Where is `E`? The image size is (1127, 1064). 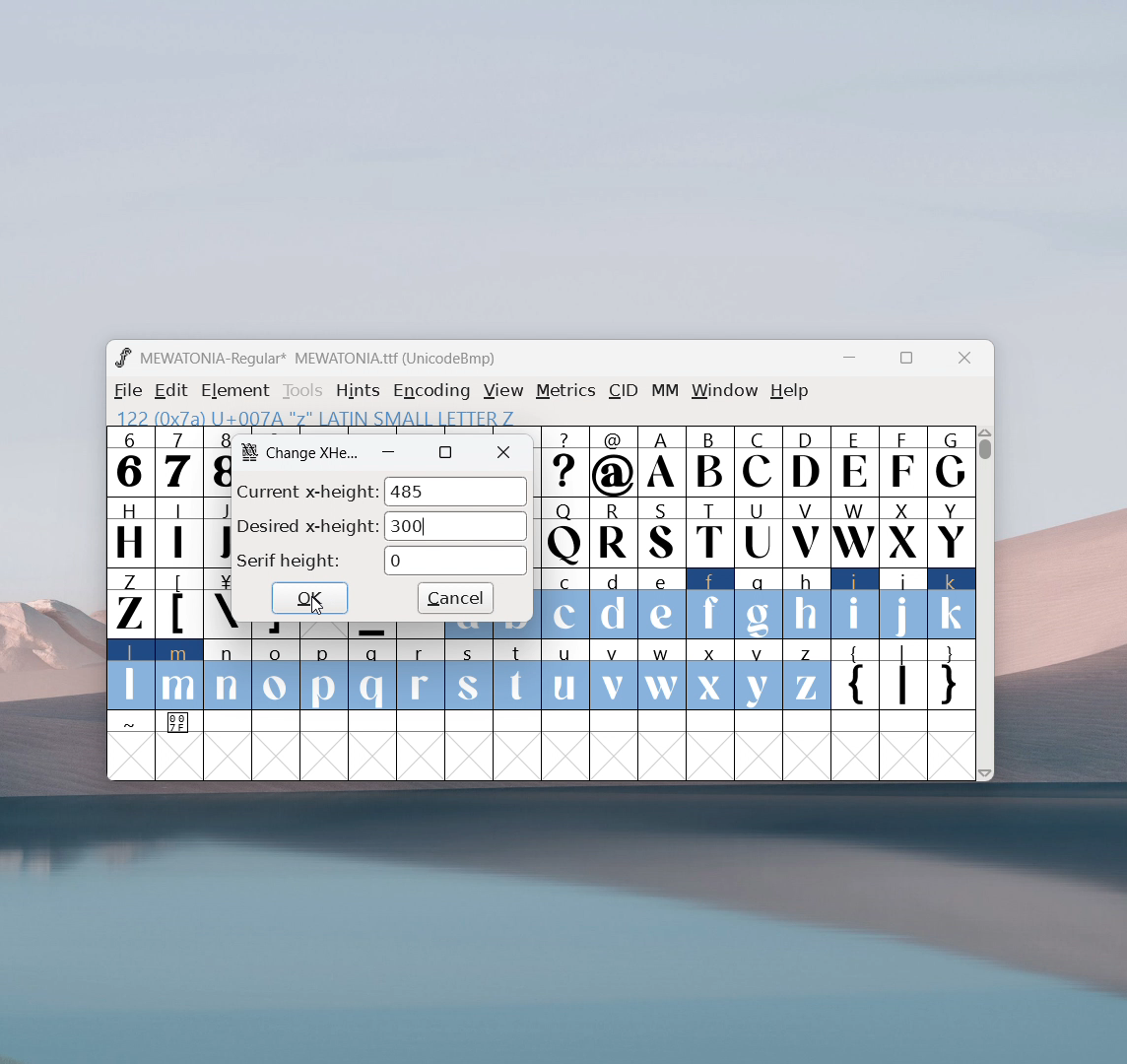 E is located at coordinates (854, 461).